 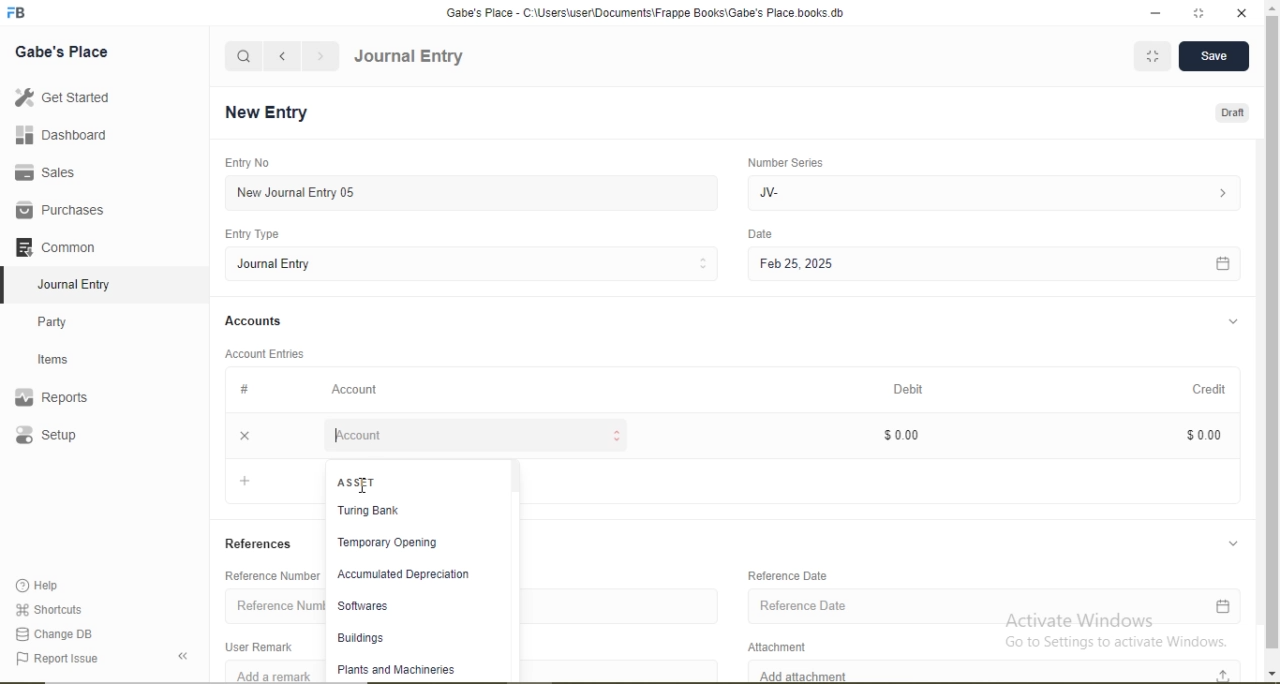 What do you see at coordinates (246, 389) in the screenshot?
I see `` at bounding box center [246, 389].